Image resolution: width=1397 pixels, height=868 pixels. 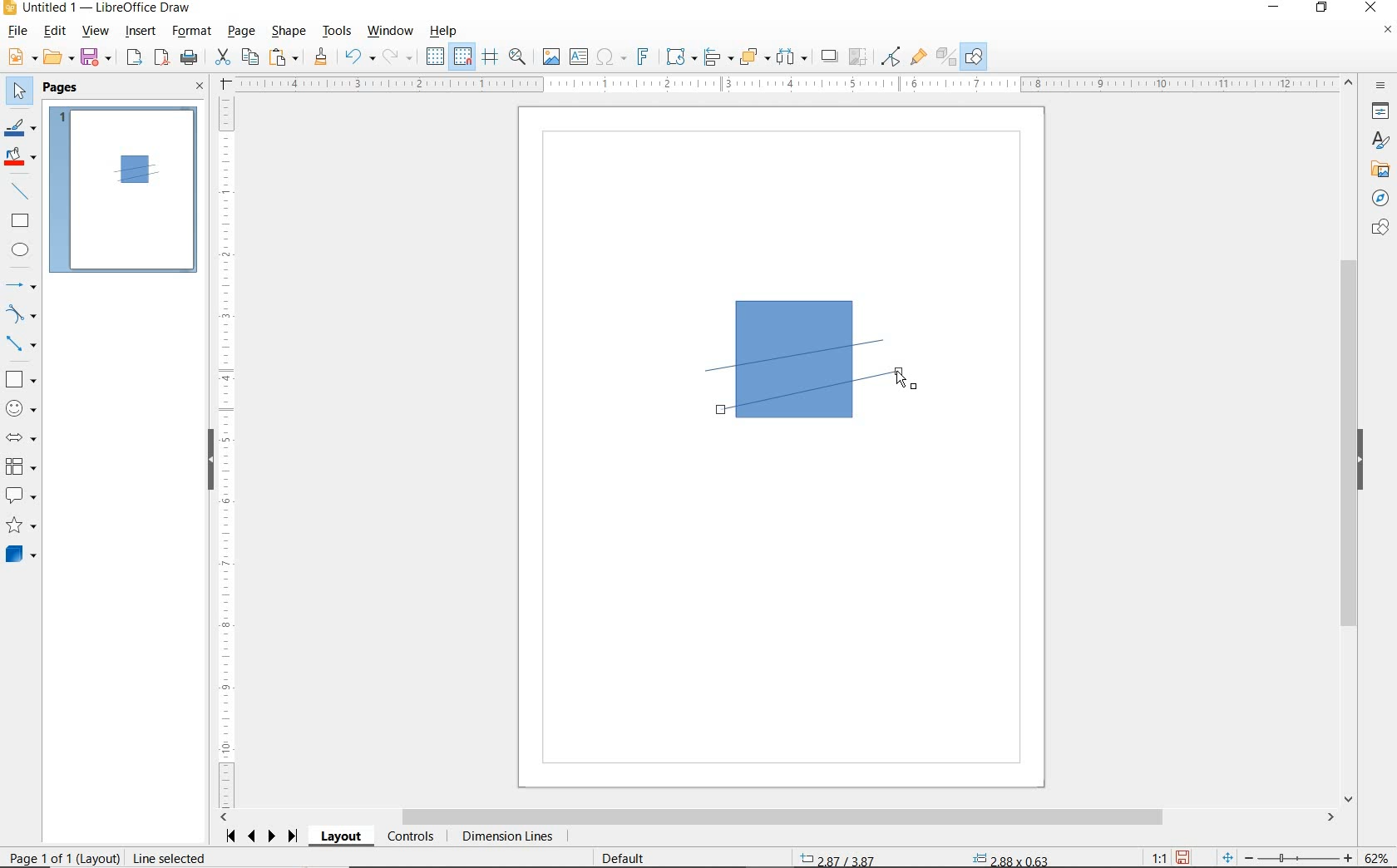 I want to click on EDIT, so click(x=55, y=31).